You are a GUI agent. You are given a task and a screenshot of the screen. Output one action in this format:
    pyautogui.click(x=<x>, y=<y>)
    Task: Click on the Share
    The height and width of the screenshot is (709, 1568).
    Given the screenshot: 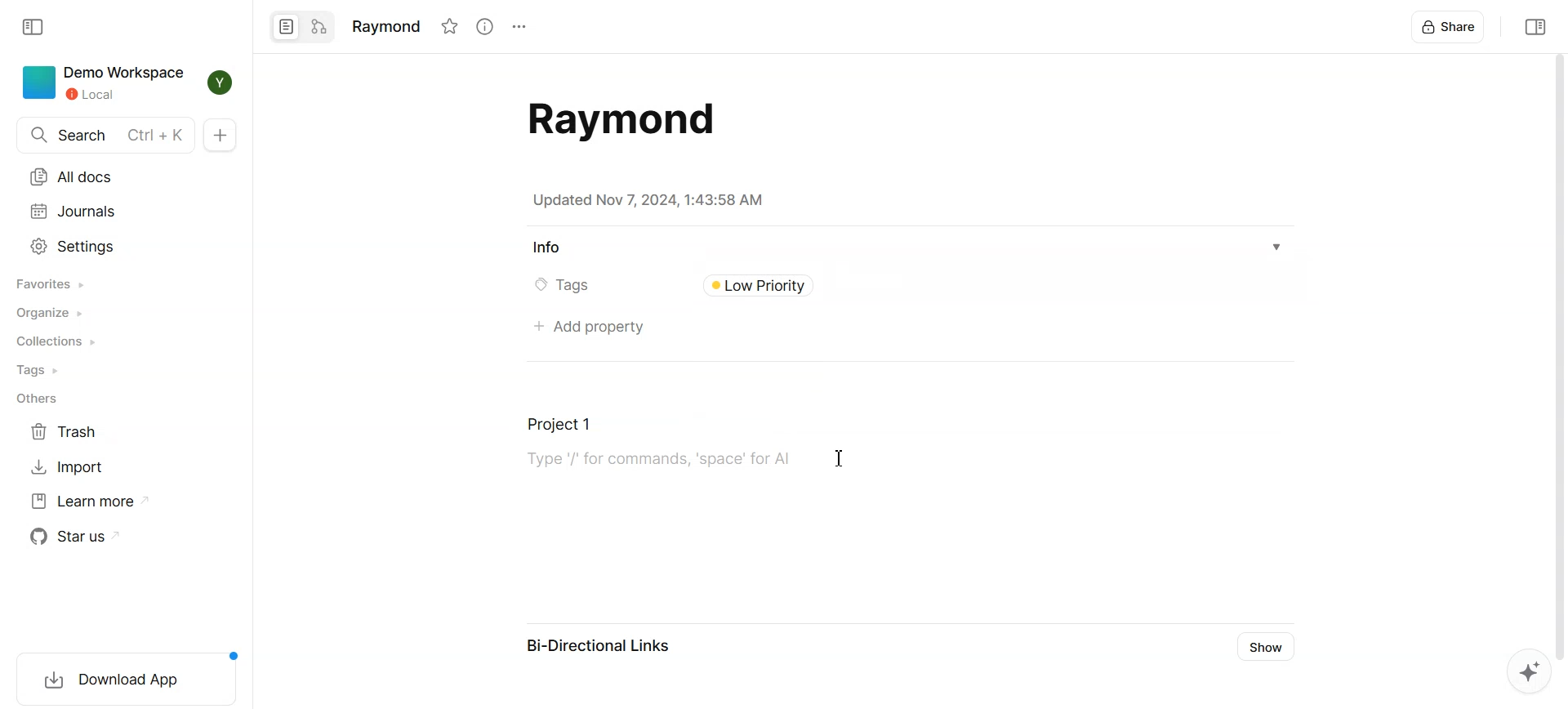 What is the action you would take?
    pyautogui.click(x=1450, y=26)
    